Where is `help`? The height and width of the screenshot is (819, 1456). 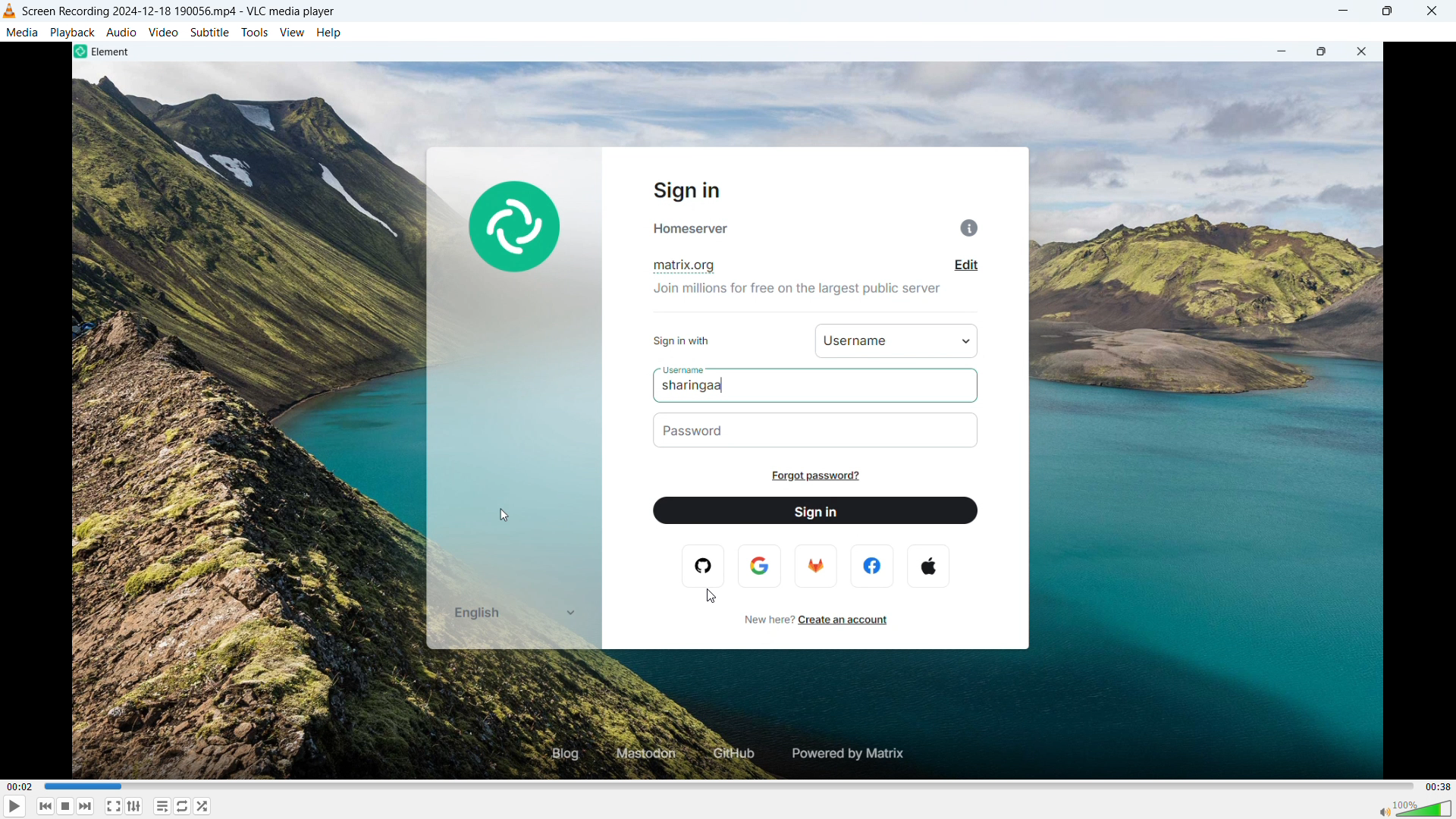
help is located at coordinates (329, 33).